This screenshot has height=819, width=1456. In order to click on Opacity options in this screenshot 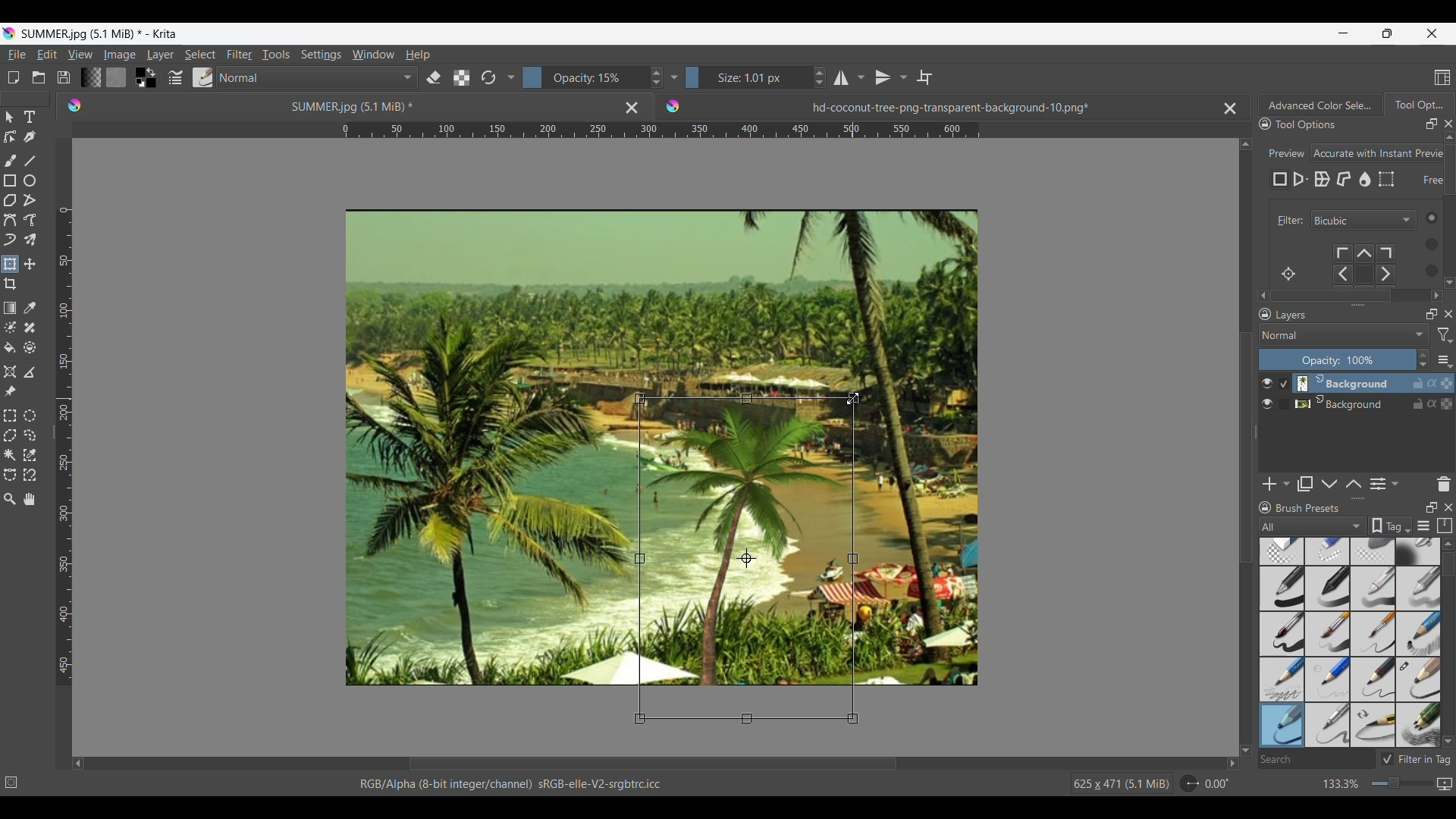, I will do `click(673, 77)`.